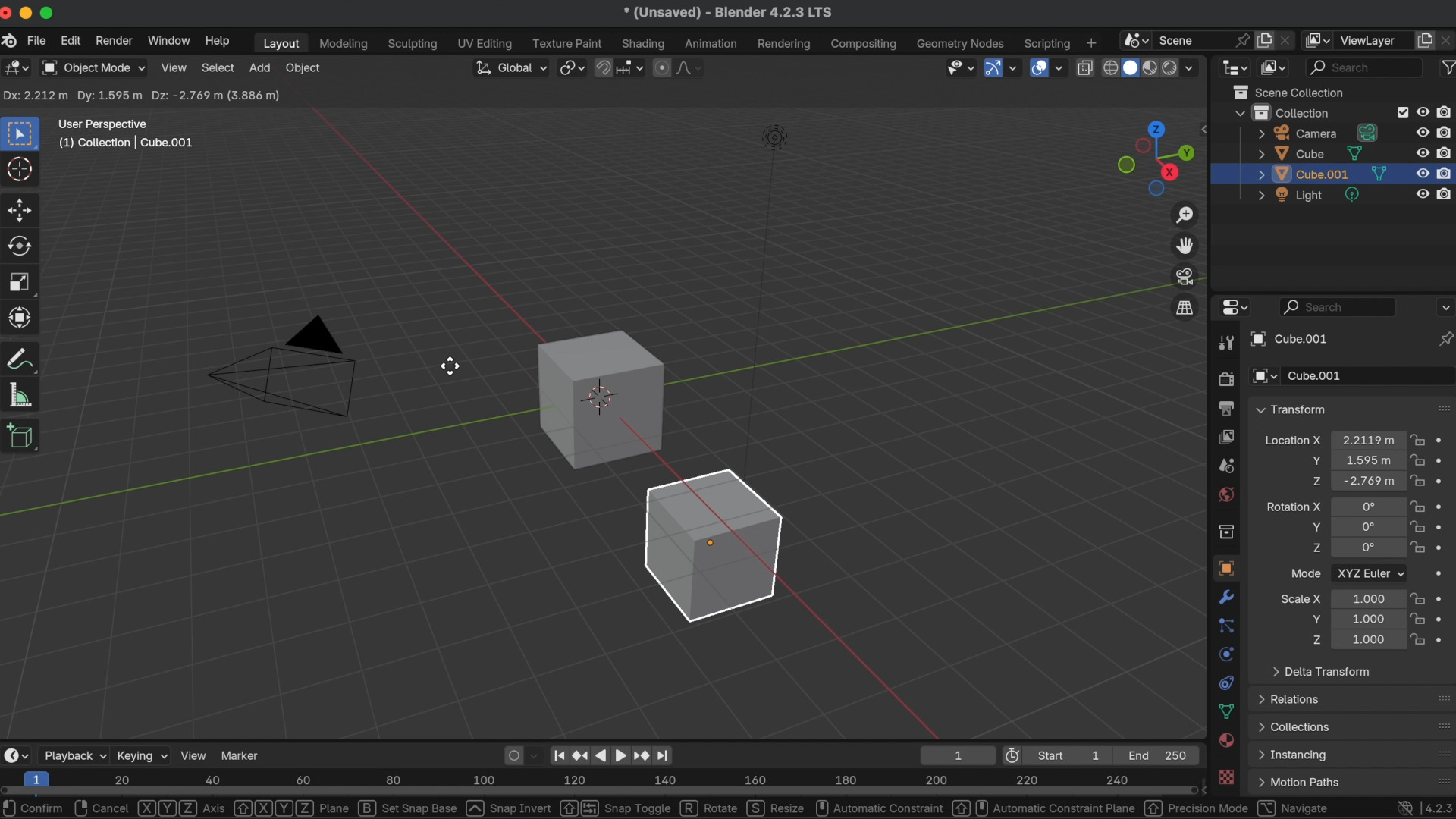  Describe the element at coordinates (21, 209) in the screenshot. I see `move` at that location.